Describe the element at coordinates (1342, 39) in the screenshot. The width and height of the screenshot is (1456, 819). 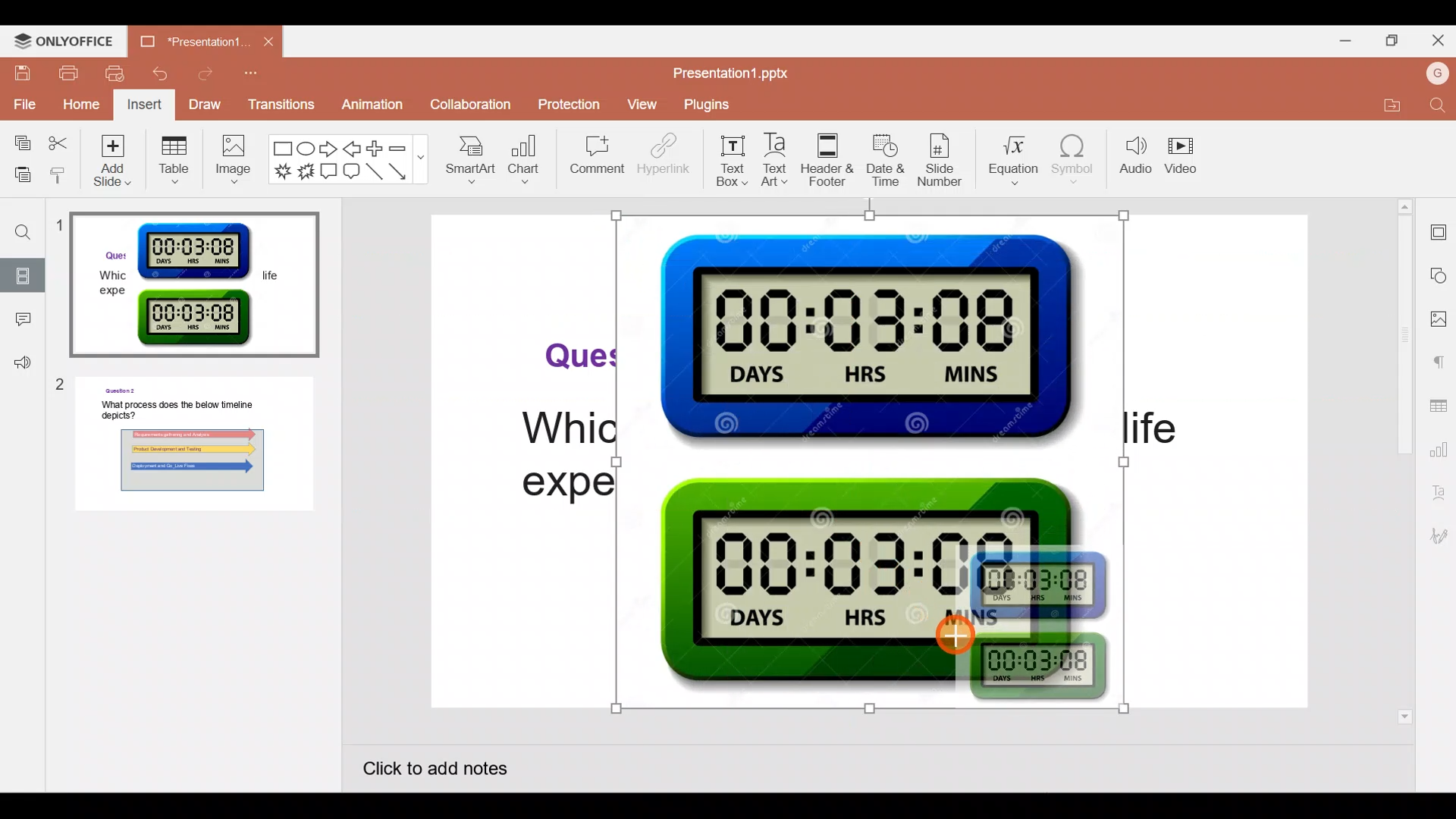
I see `Minimize` at that location.